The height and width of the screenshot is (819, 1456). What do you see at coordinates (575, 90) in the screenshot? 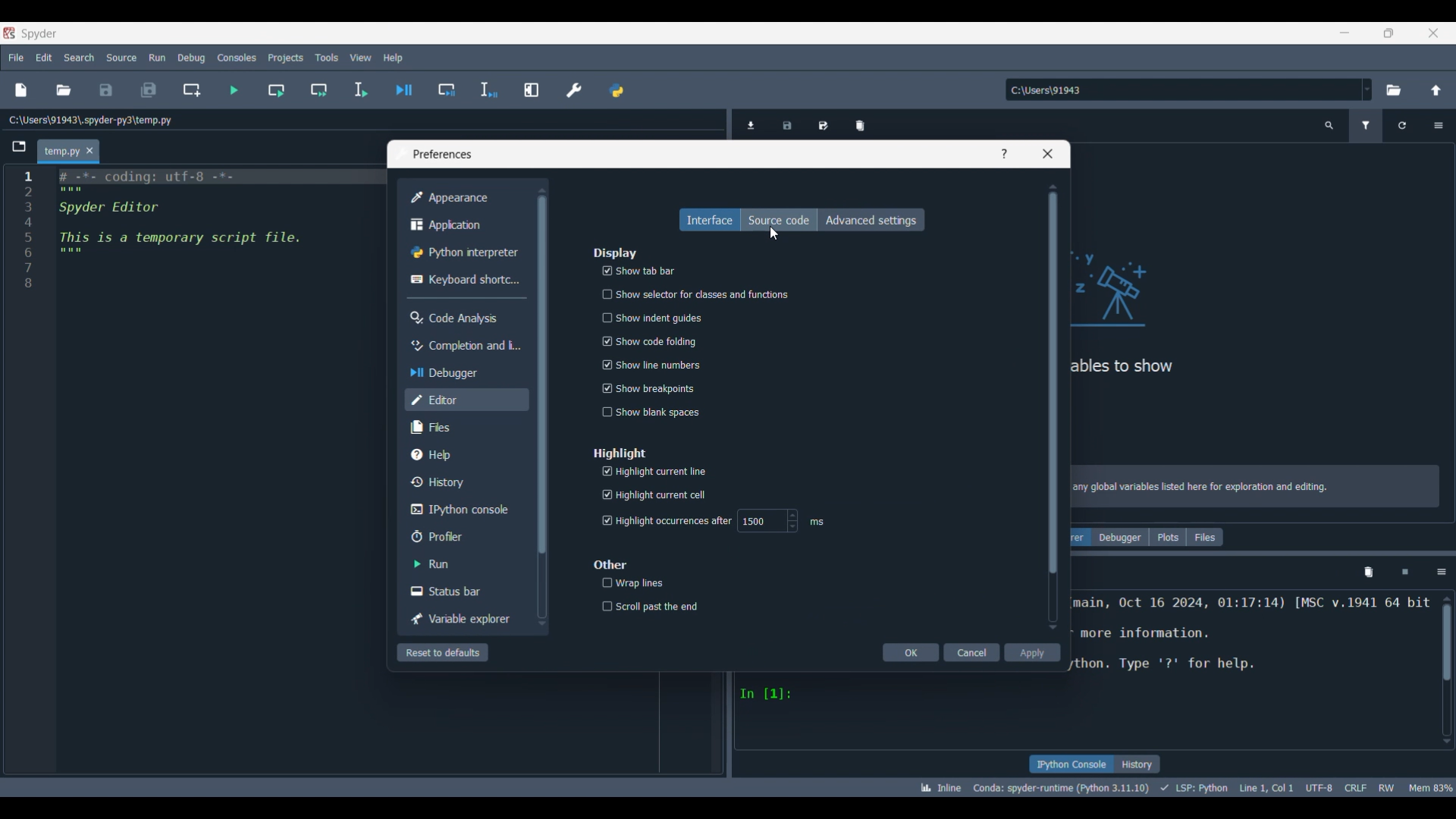
I see `Preferences` at bounding box center [575, 90].